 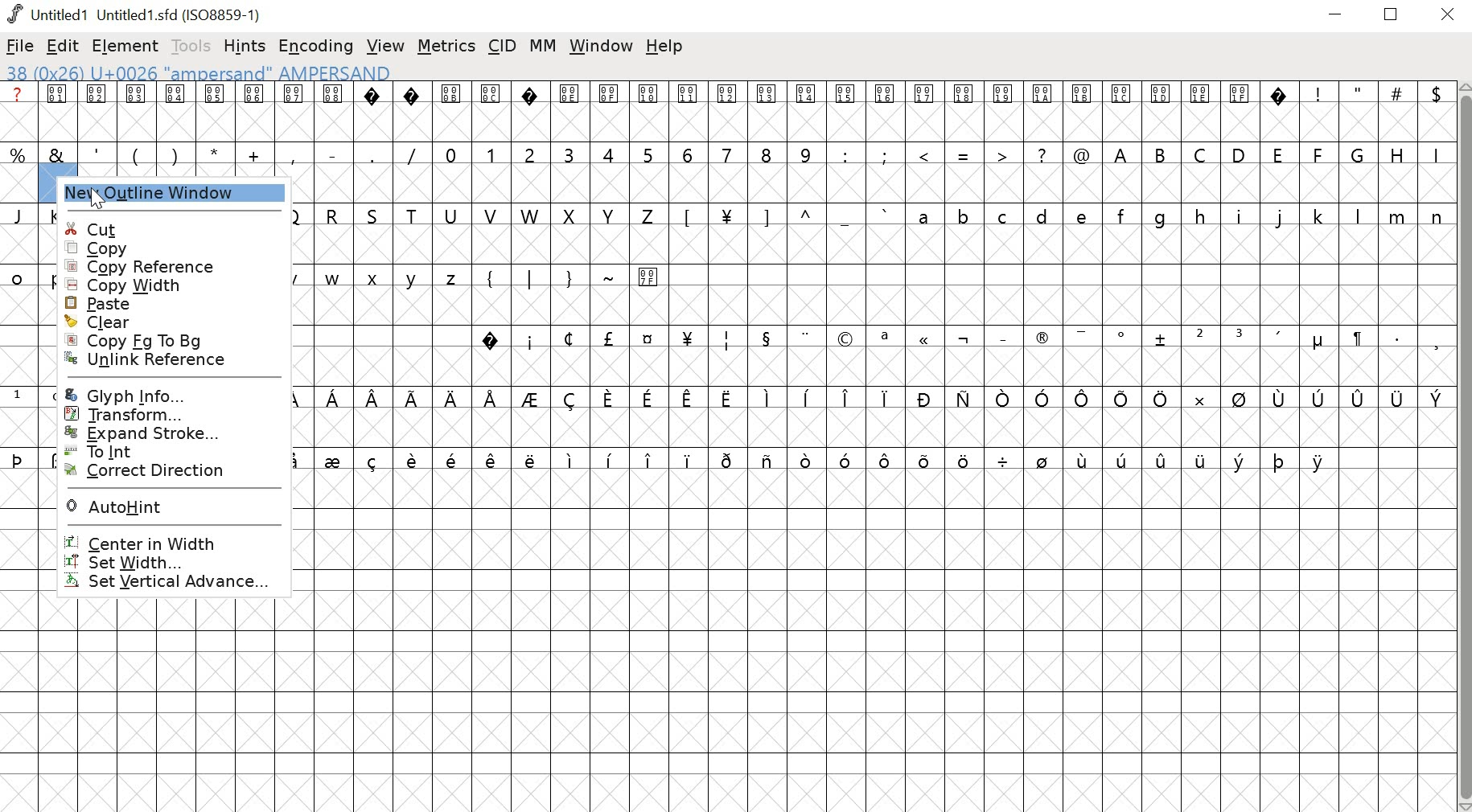 I want to click on ^, so click(x=808, y=214).